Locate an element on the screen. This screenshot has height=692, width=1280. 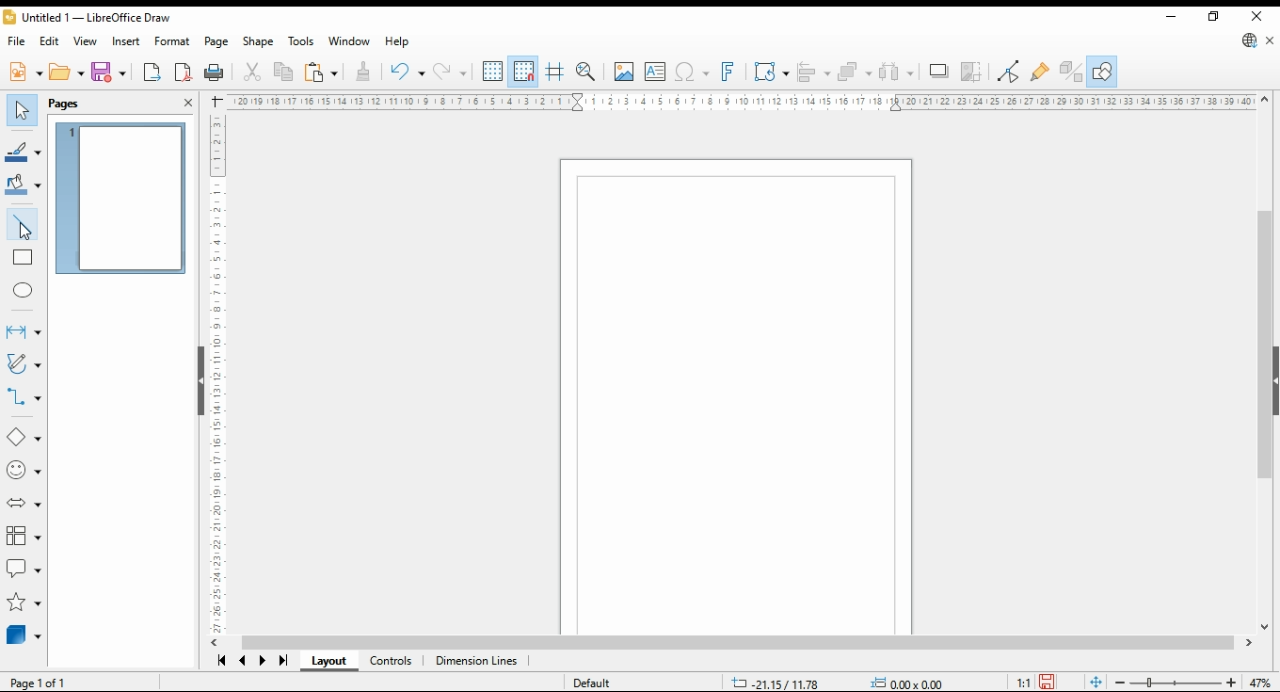
last page is located at coordinates (282, 661).